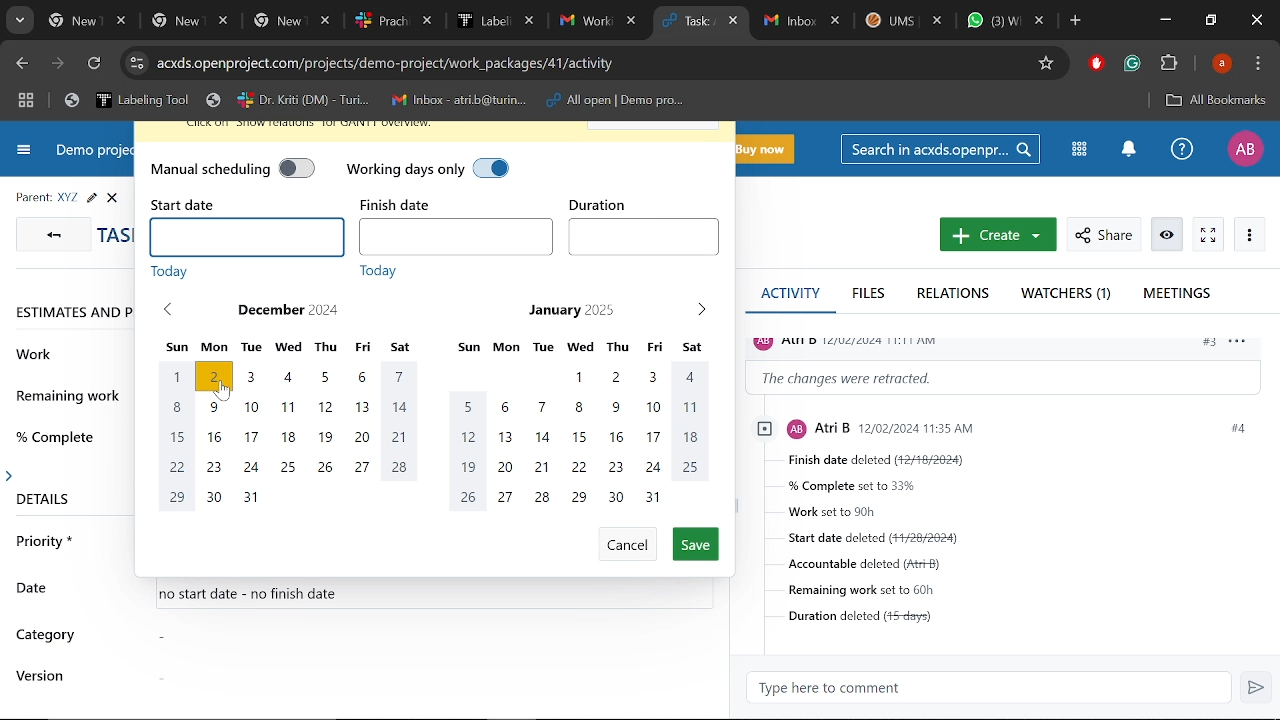  Describe the element at coordinates (996, 235) in the screenshot. I see `New work package` at that location.